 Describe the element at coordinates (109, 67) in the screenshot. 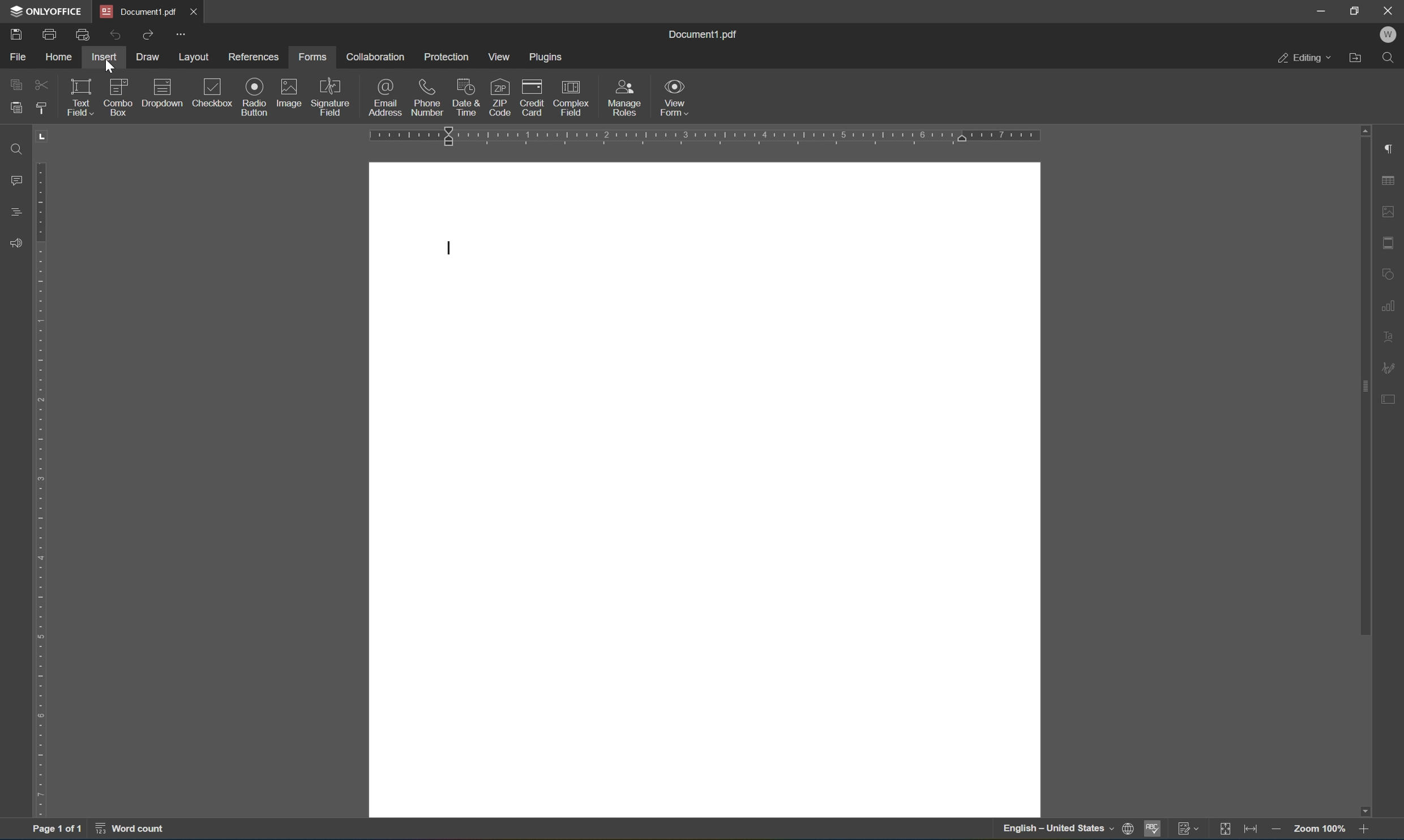

I see `cursor` at that location.